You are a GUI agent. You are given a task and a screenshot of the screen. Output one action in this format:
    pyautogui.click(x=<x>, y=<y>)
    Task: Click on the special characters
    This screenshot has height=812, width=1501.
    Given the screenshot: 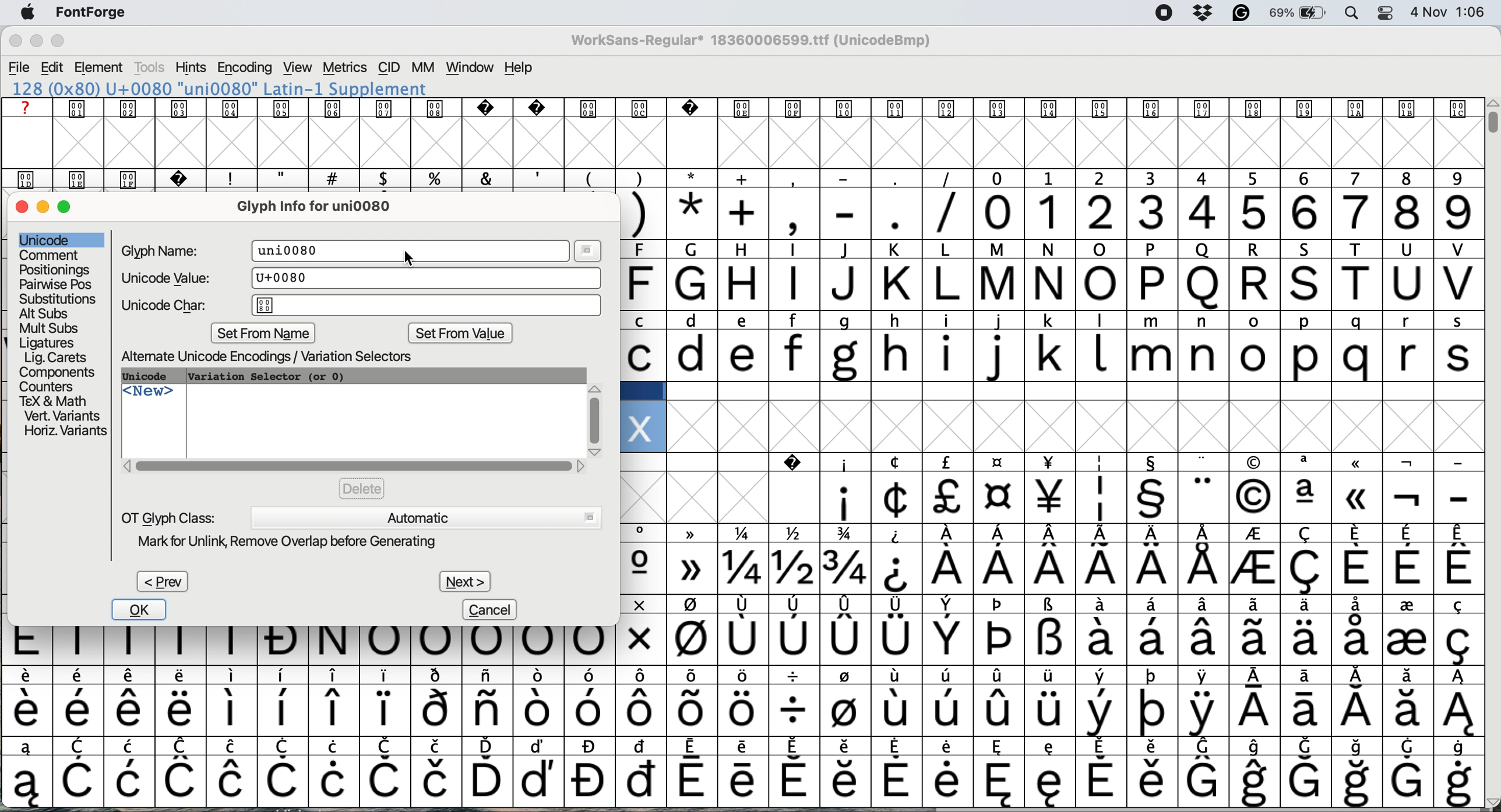 What is the action you would take?
    pyautogui.click(x=1053, y=606)
    